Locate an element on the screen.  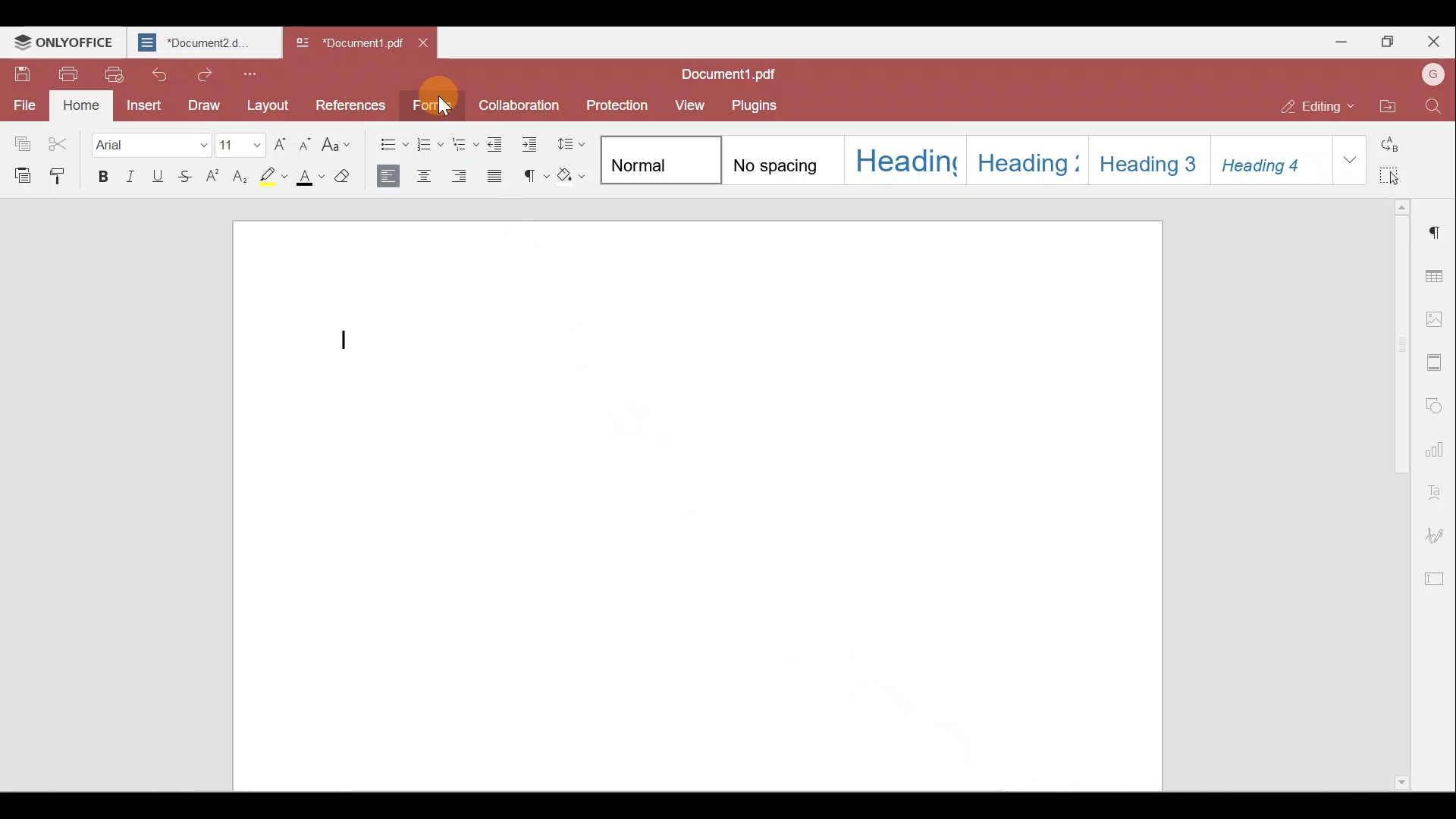
No spacing is located at coordinates (783, 160).